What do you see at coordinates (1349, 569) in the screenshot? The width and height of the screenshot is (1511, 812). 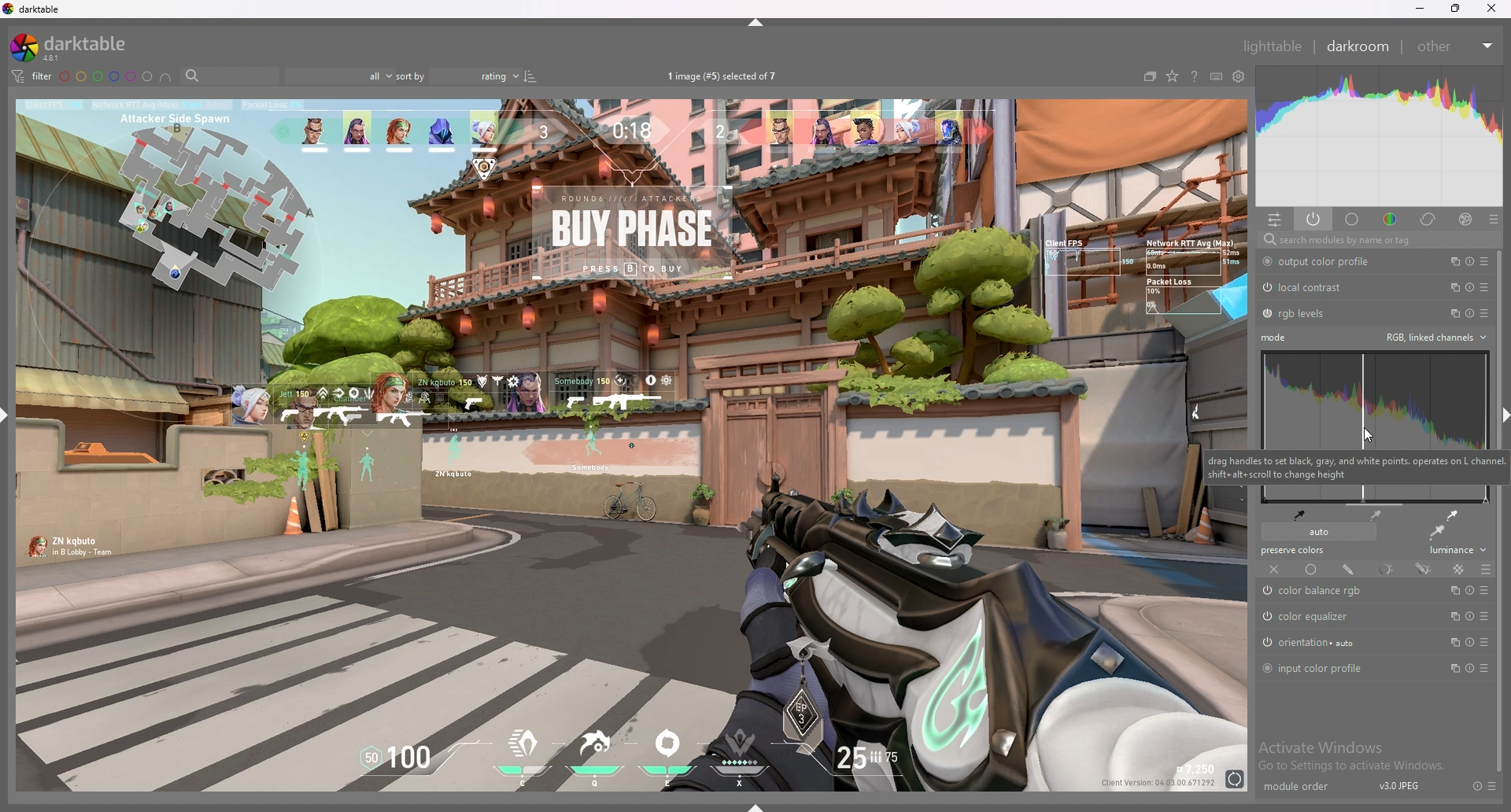 I see `drawn mask` at bounding box center [1349, 569].